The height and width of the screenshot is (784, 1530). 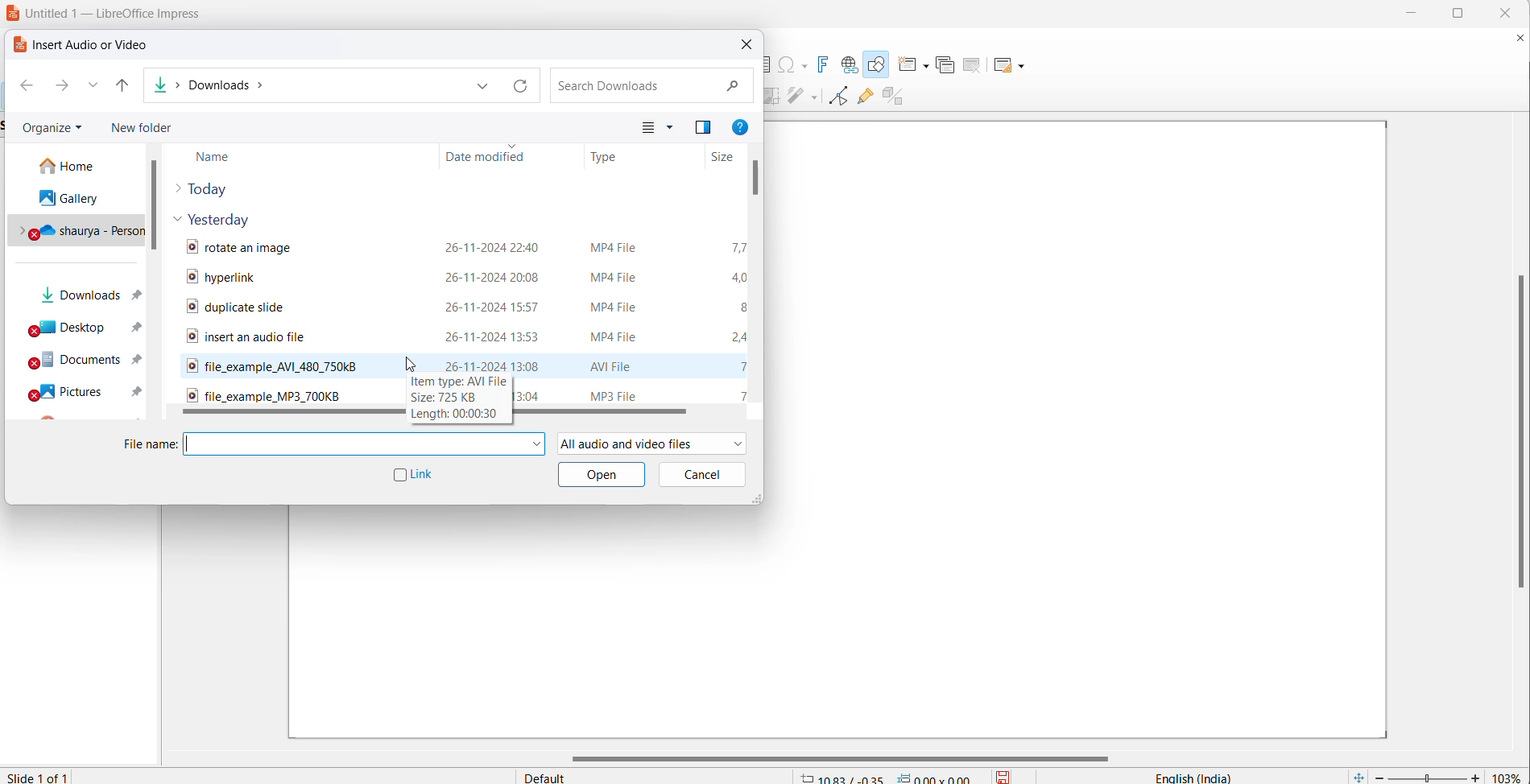 What do you see at coordinates (304, 85) in the screenshot?
I see `path` at bounding box center [304, 85].